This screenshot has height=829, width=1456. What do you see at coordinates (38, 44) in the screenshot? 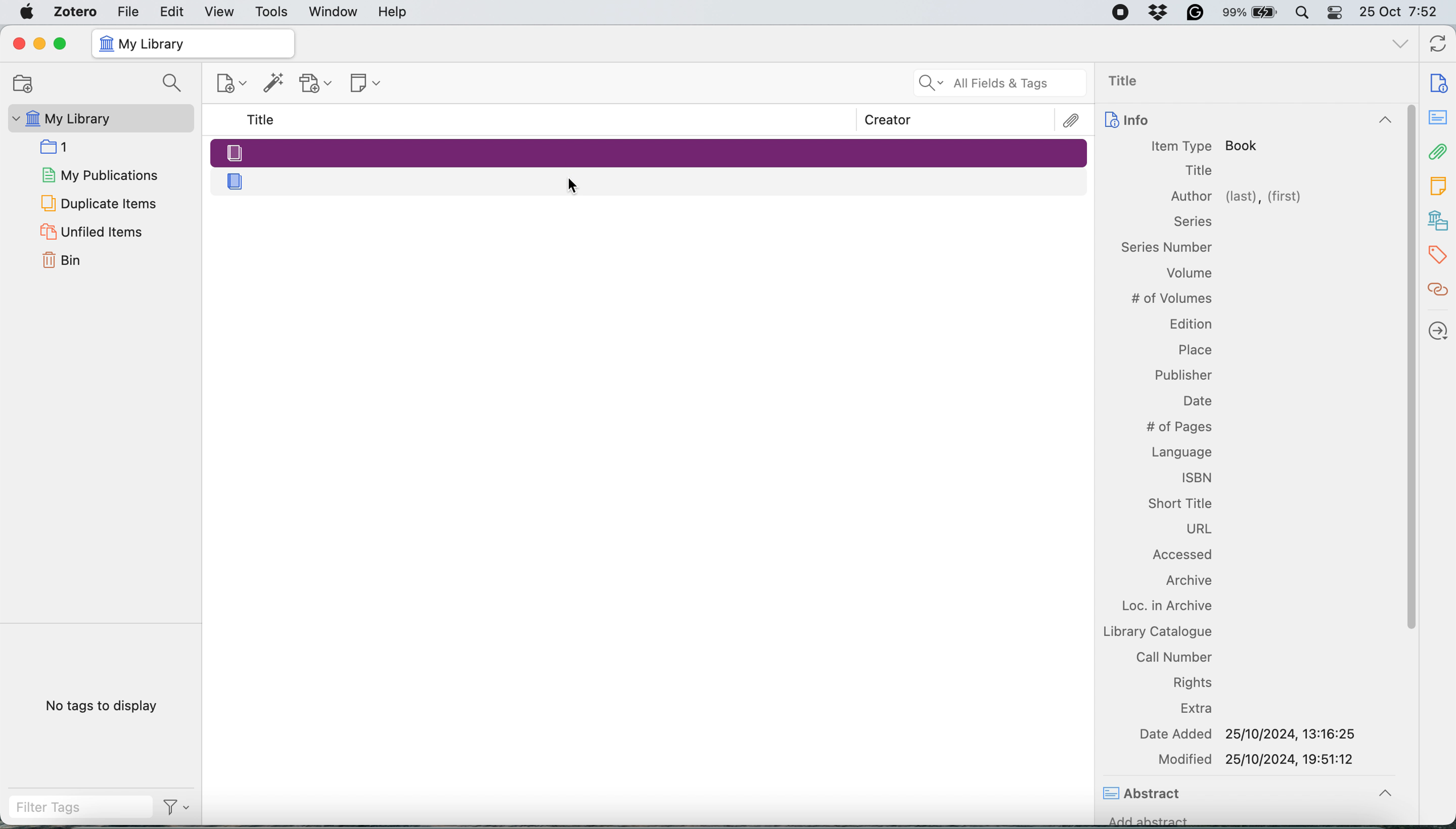
I see `Minimize` at bounding box center [38, 44].